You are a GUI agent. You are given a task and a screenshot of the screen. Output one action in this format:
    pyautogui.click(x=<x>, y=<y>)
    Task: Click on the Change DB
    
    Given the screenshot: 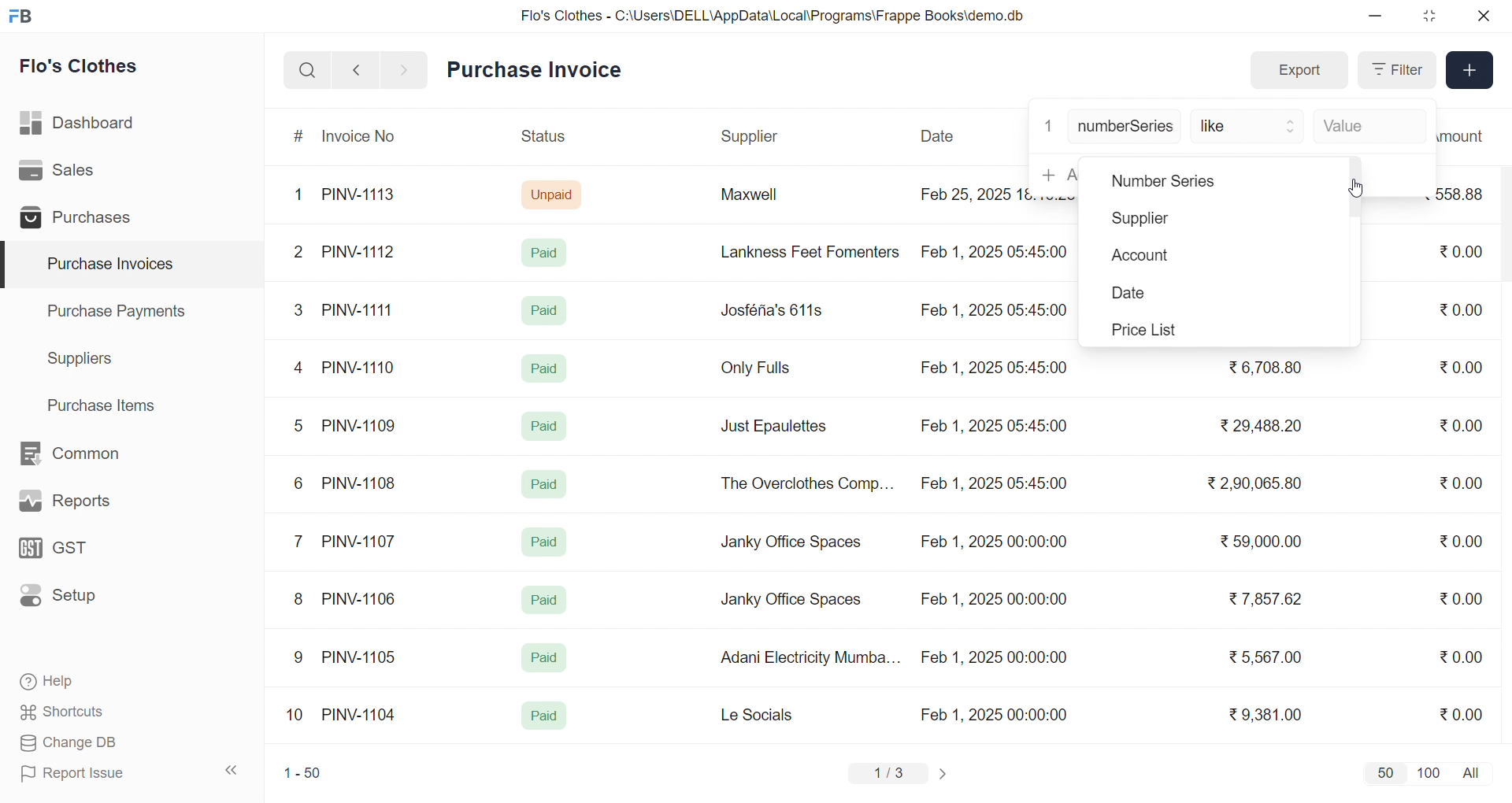 What is the action you would take?
    pyautogui.click(x=99, y=743)
    